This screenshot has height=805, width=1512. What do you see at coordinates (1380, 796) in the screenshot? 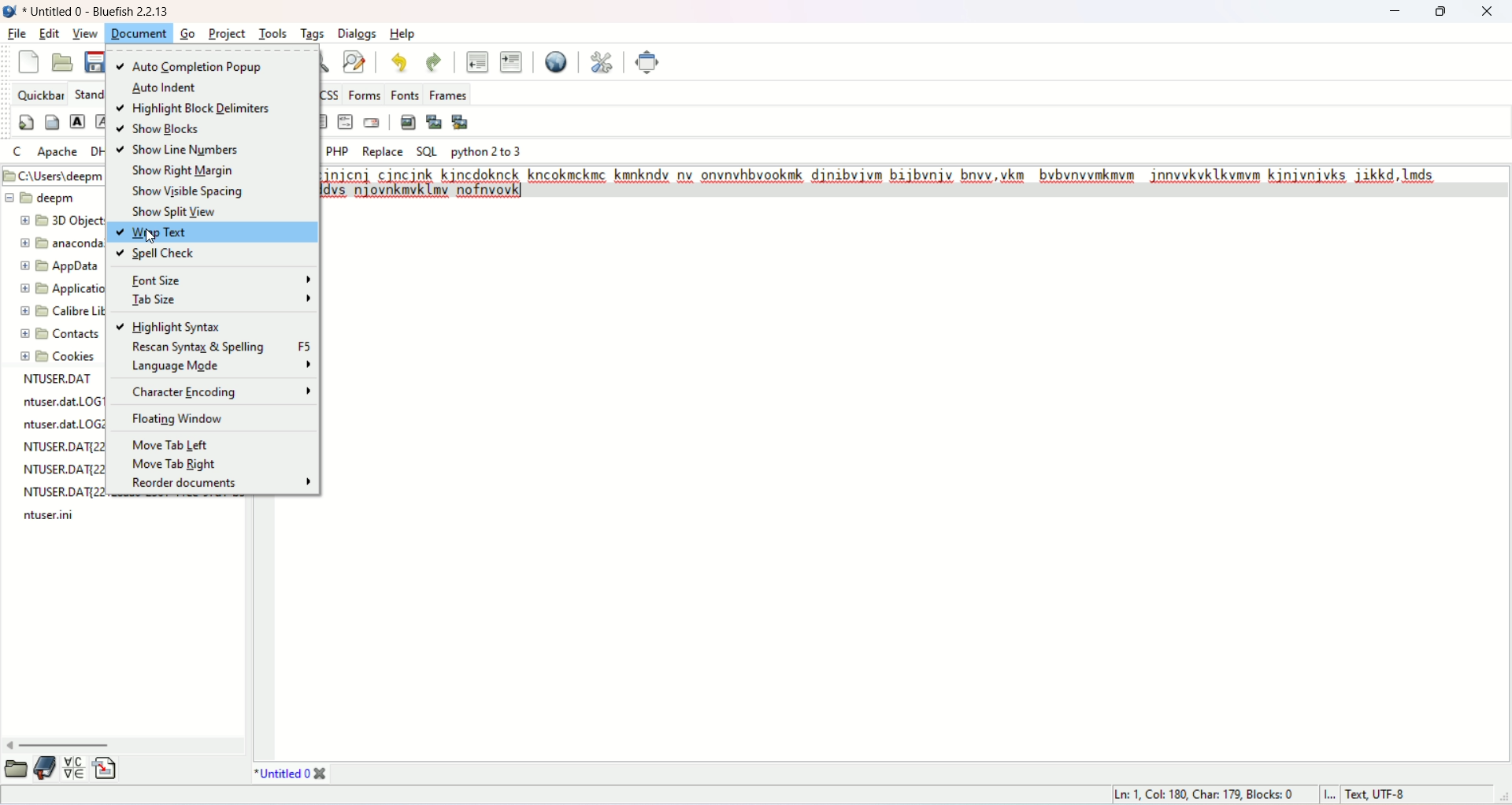
I see `text, UTF-8` at bounding box center [1380, 796].